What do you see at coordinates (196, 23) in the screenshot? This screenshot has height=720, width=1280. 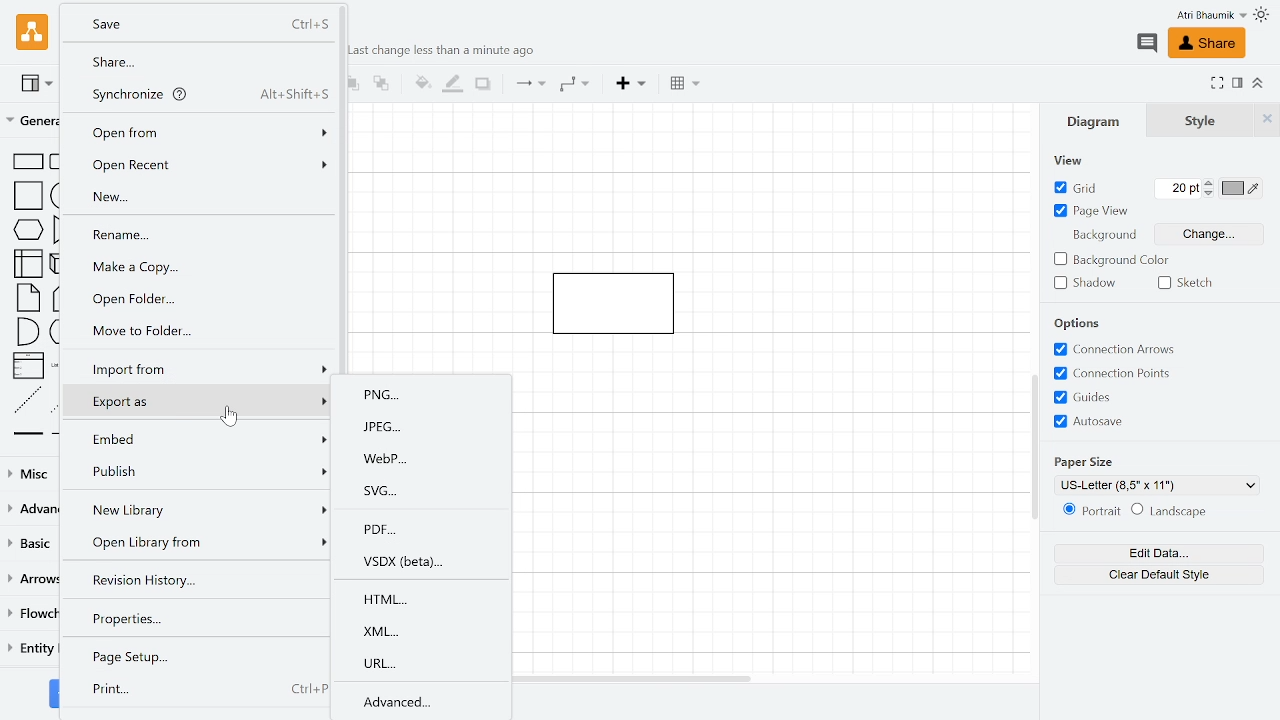 I see `Save` at bounding box center [196, 23].